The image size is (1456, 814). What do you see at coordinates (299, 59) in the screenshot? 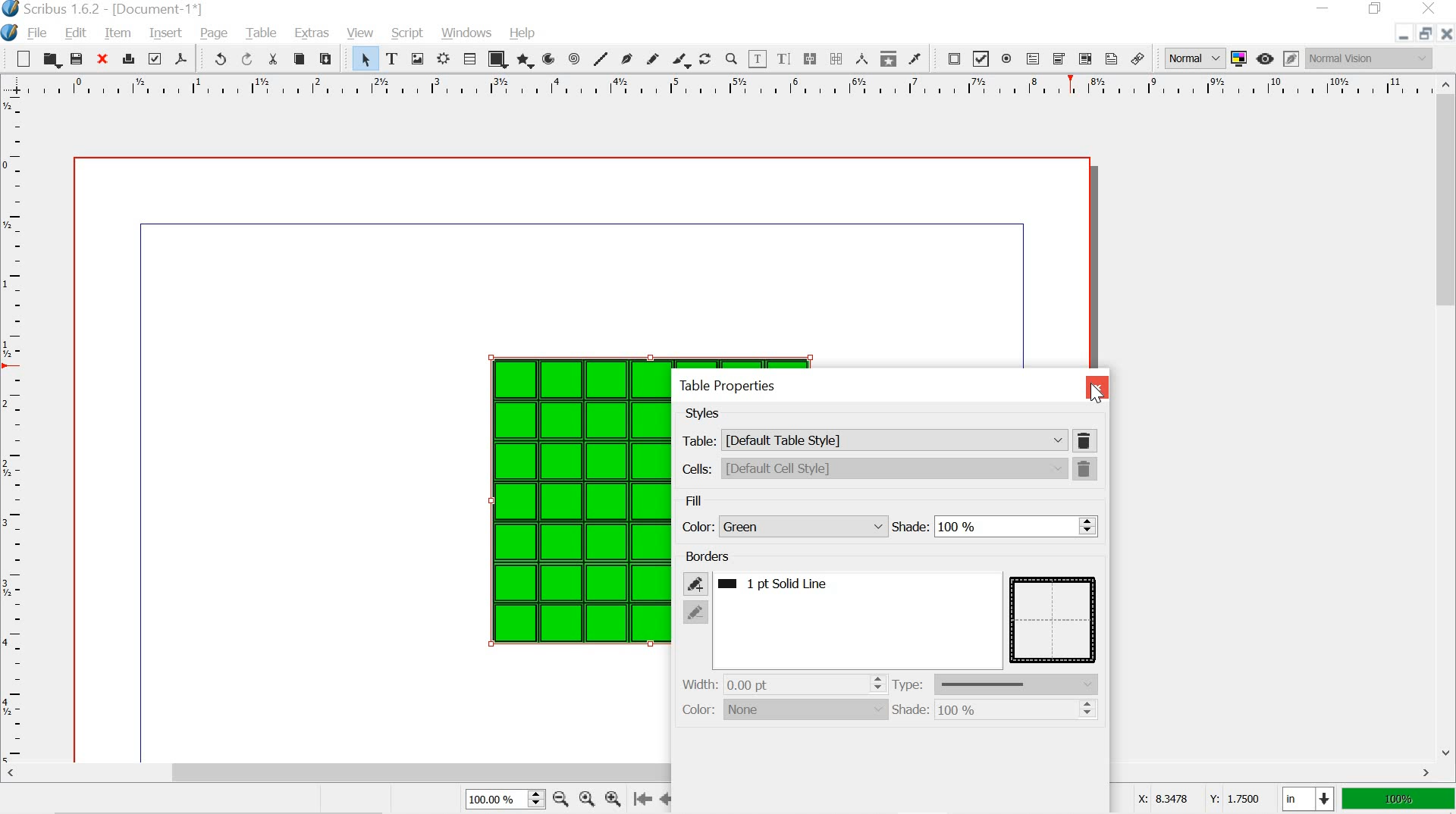
I see `copy` at bounding box center [299, 59].